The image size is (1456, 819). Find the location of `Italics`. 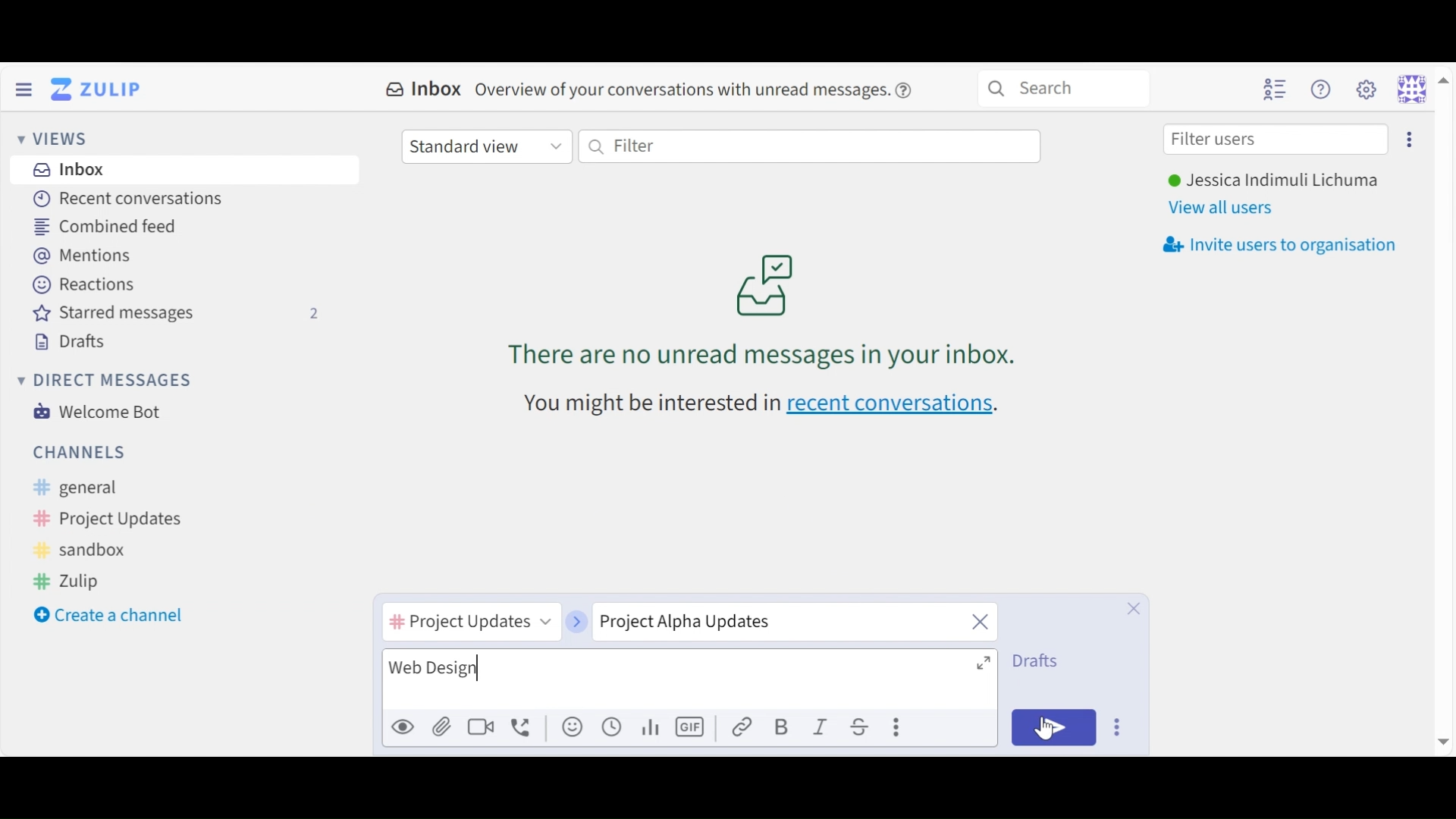

Italics is located at coordinates (821, 726).